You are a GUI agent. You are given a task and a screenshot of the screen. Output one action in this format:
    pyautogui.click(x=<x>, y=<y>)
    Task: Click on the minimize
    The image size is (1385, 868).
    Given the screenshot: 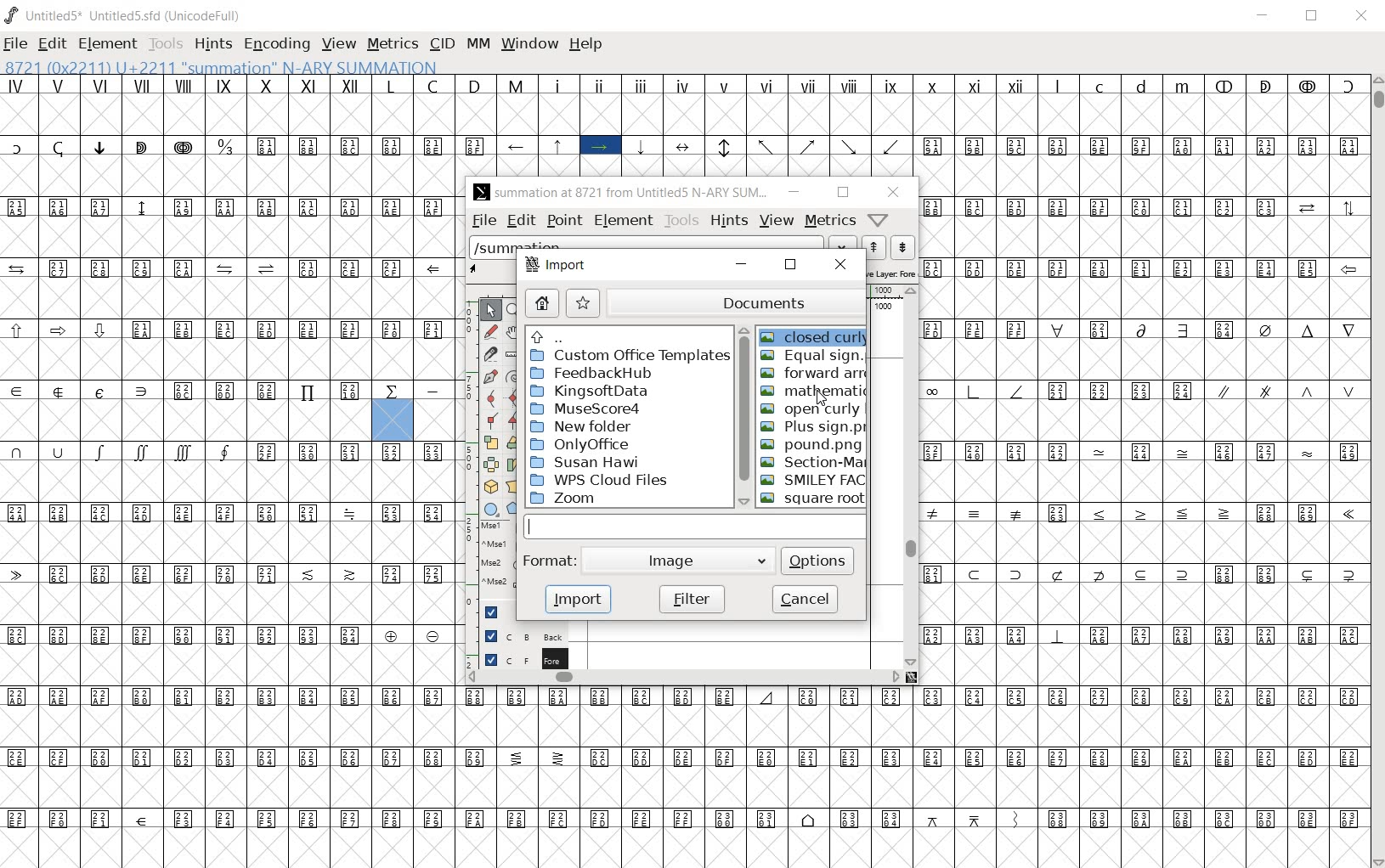 What is the action you would take?
    pyautogui.click(x=794, y=193)
    